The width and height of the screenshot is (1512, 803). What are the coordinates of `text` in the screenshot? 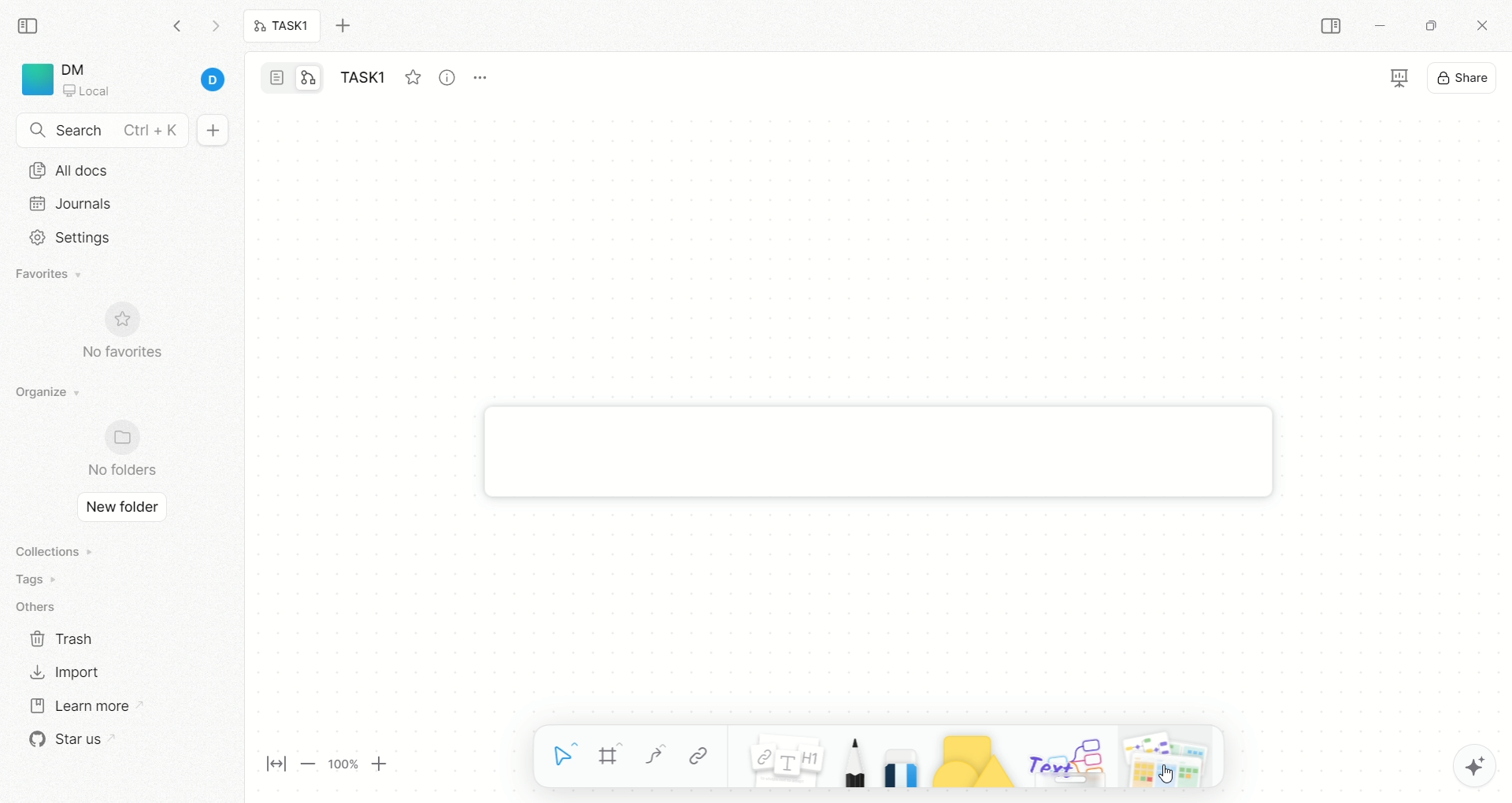 It's located at (1065, 759).